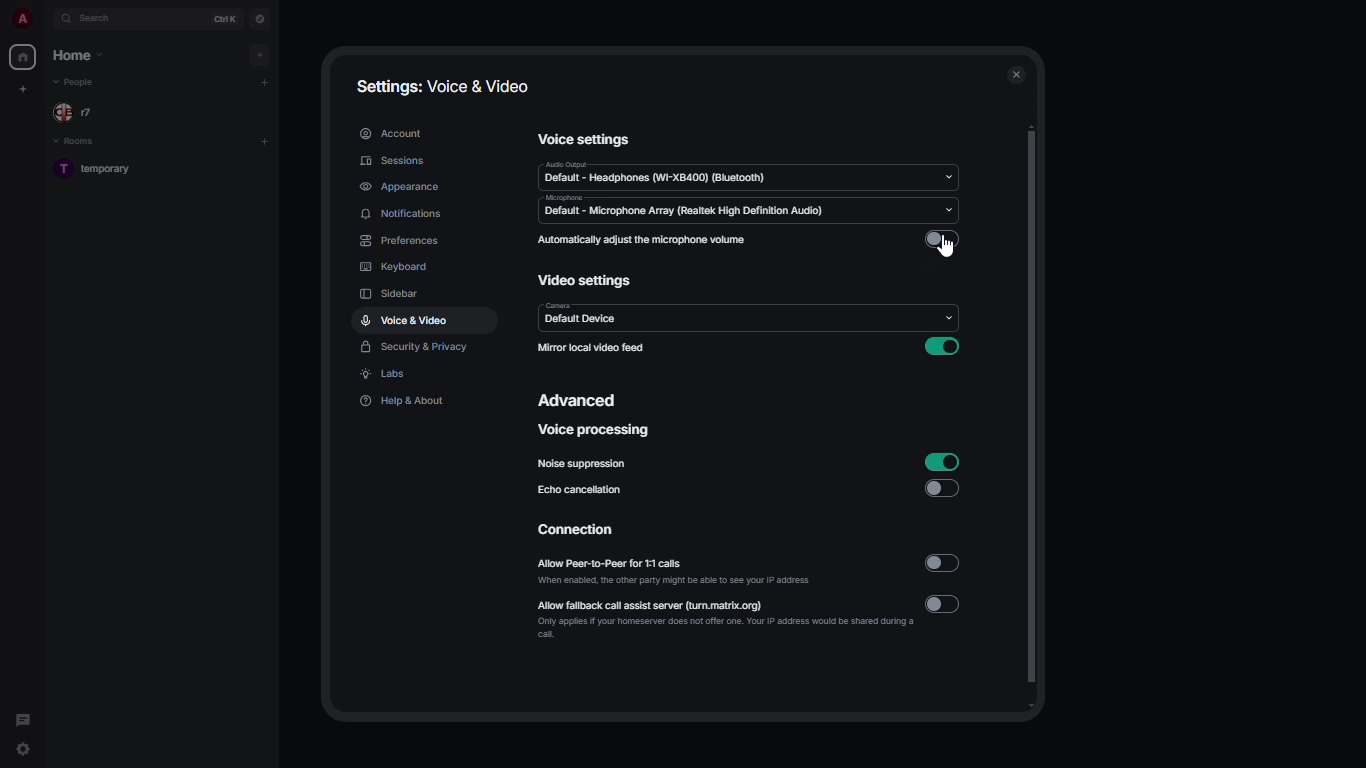  Describe the element at coordinates (400, 242) in the screenshot. I see `preferences` at that location.